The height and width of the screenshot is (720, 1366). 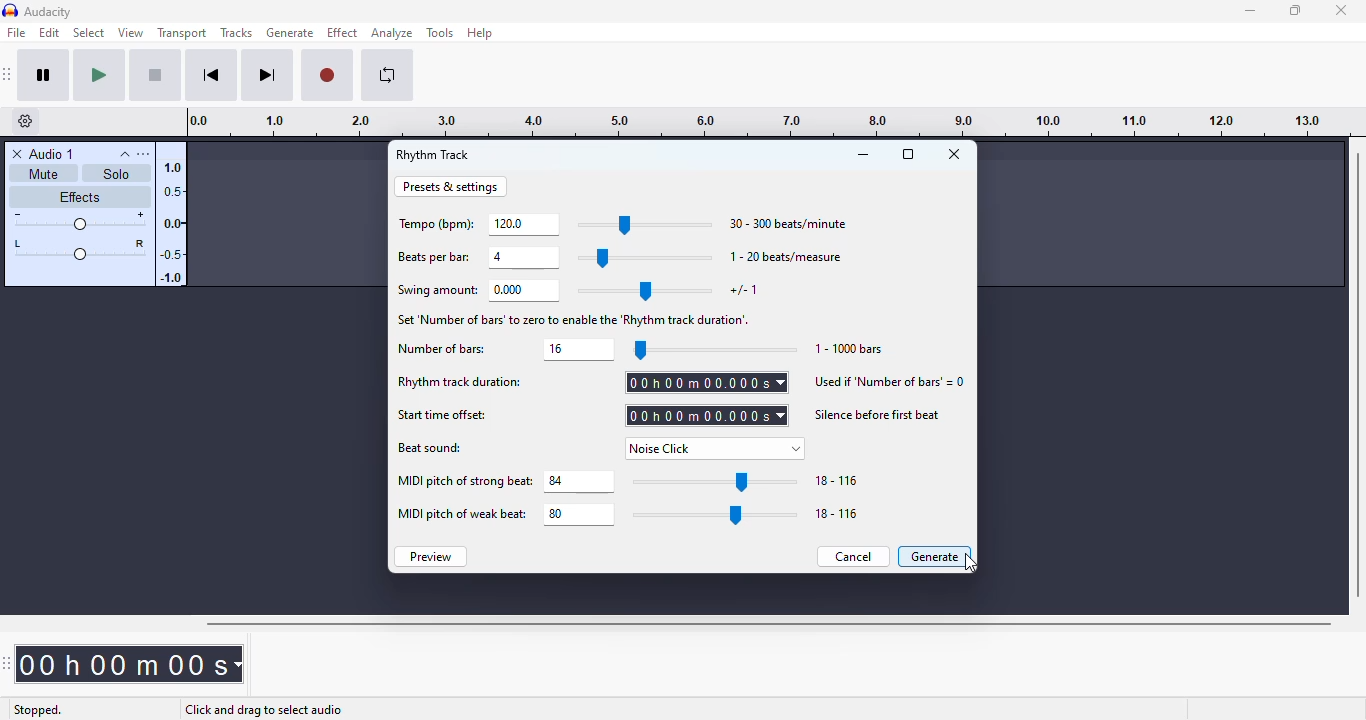 What do you see at coordinates (392, 33) in the screenshot?
I see `analyze` at bounding box center [392, 33].